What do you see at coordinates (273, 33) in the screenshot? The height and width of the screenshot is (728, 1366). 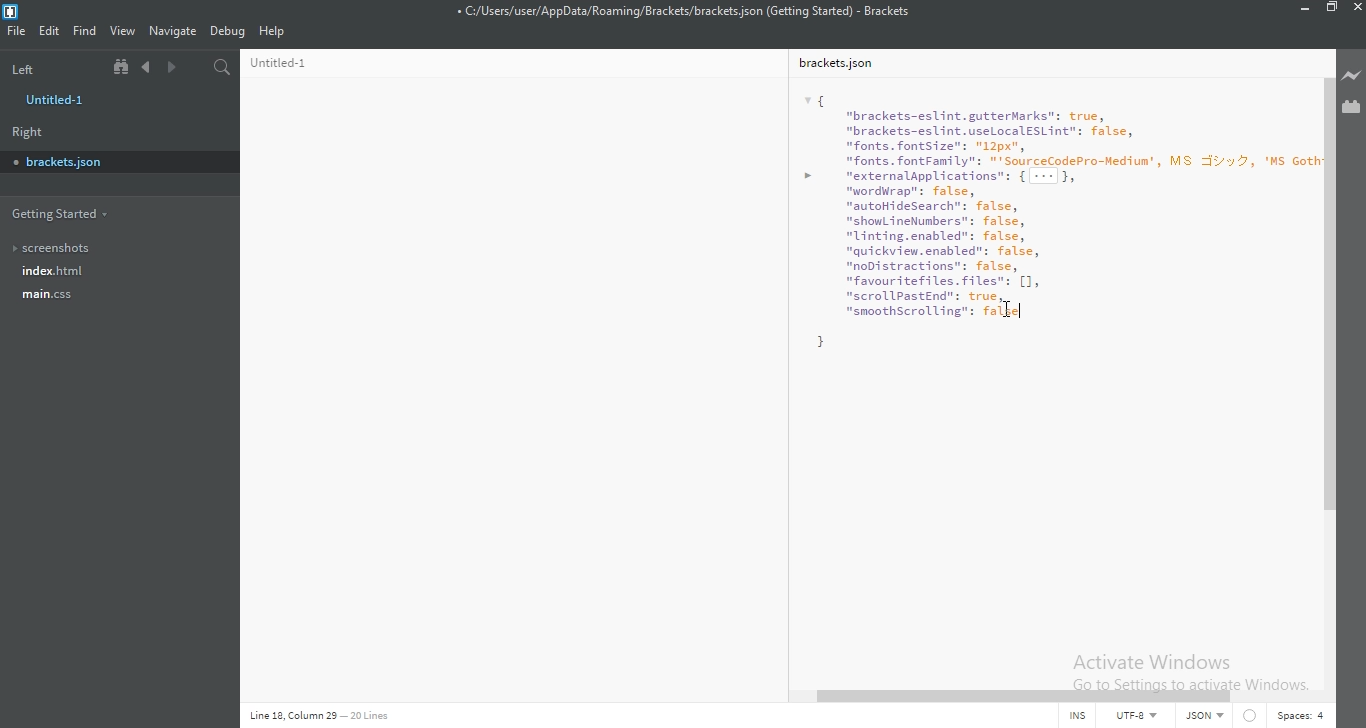 I see `Help` at bounding box center [273, 33].